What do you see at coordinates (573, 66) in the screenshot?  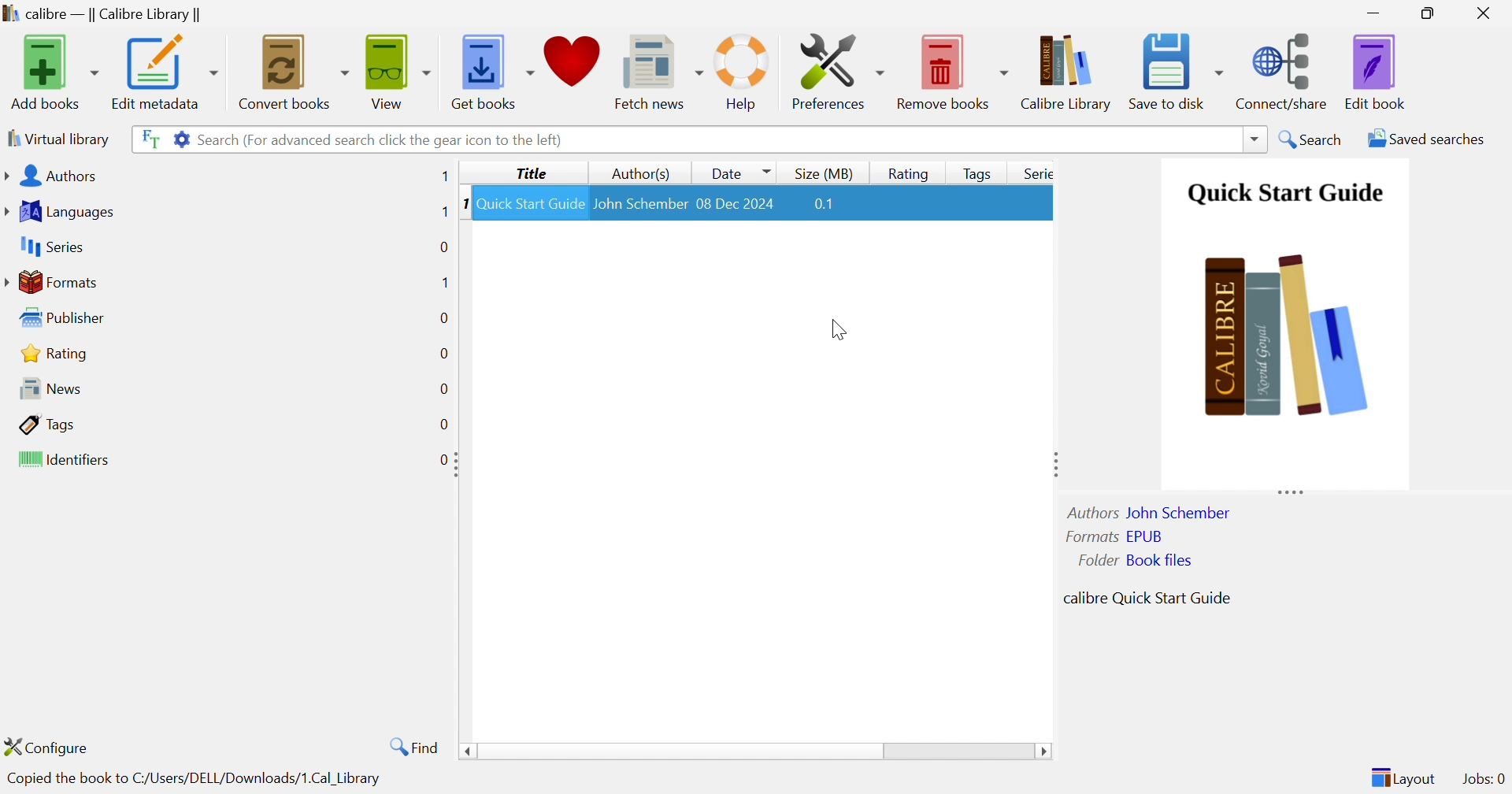 I see `Donate to support Calibre` at bounding box center [573, 66].